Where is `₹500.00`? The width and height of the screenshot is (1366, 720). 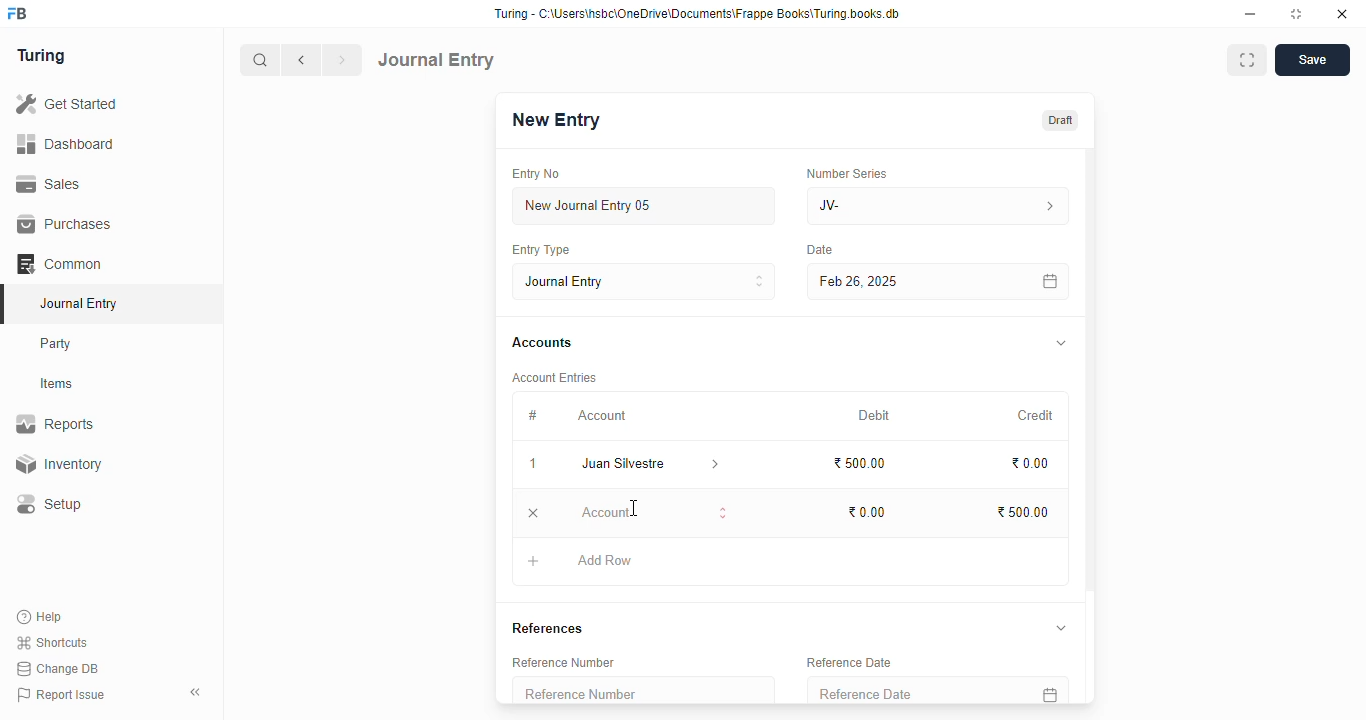 ₹500.00 is located at coordinates (1024, 511).